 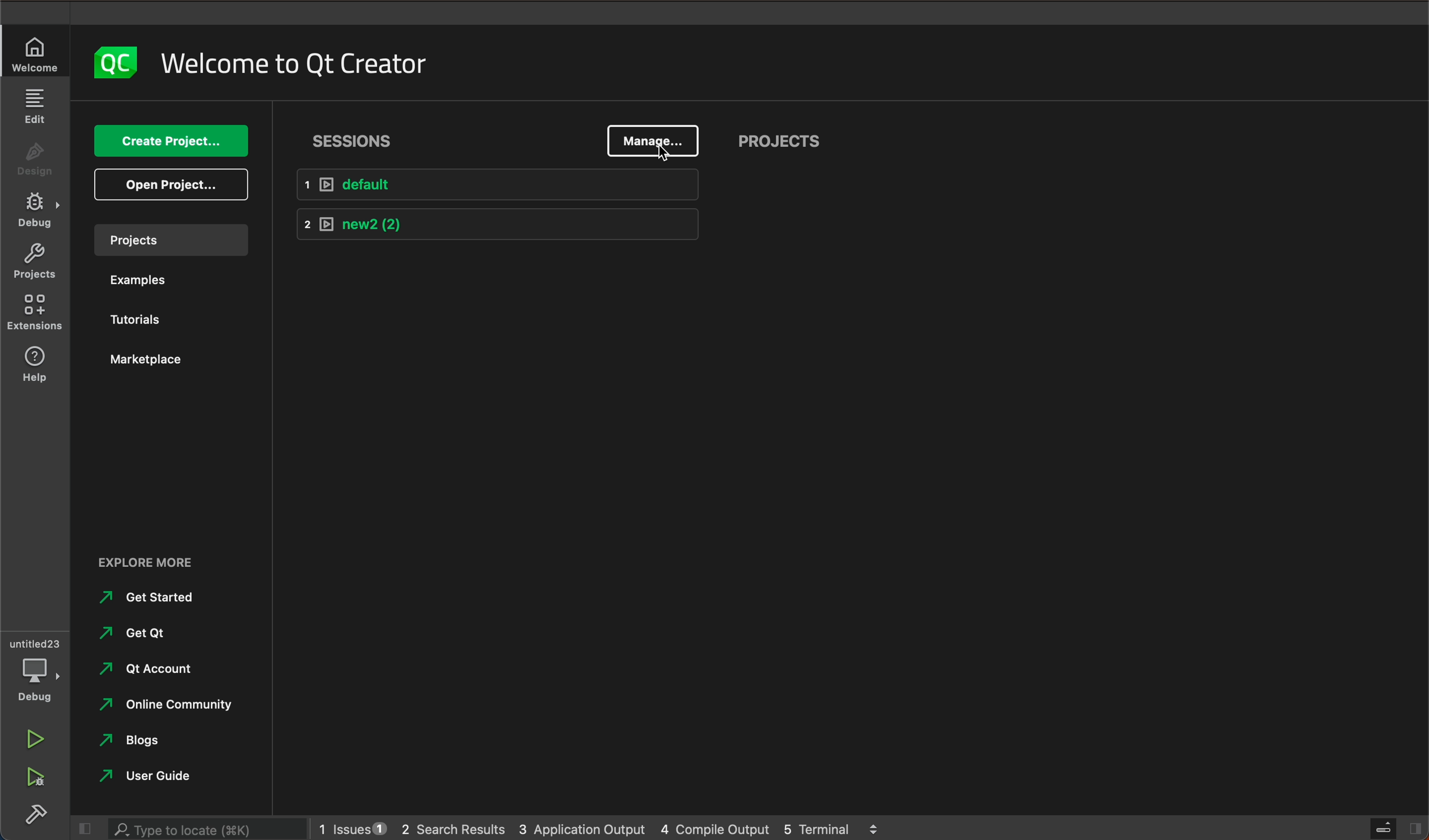 I want to click on projects, so click(x=785, y=141).